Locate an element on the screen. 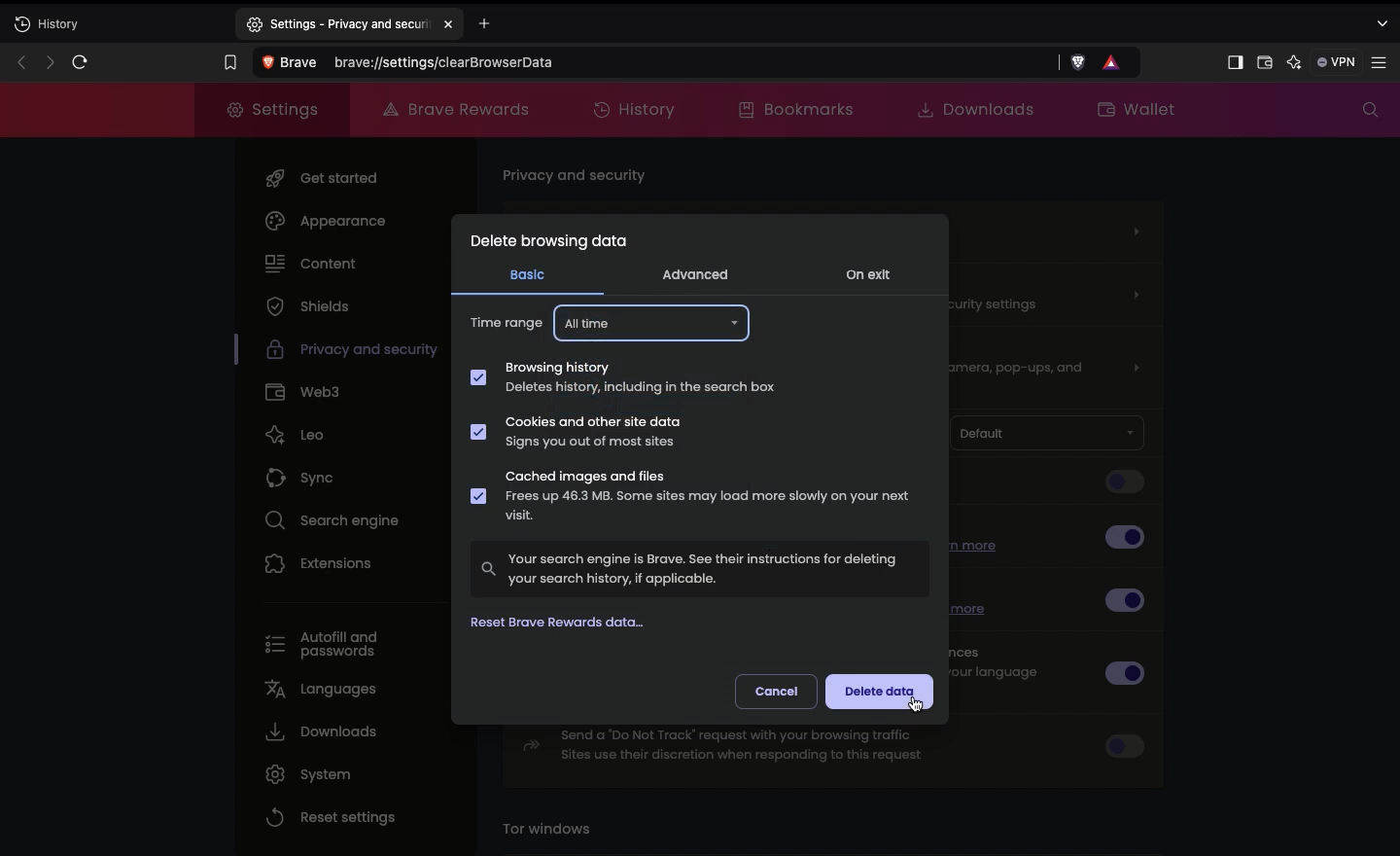 The image size is (1400, 856). Your search engine is Brave. See their instructions for deletingyour search history, if applicable. is located at coordinates (700, 567).